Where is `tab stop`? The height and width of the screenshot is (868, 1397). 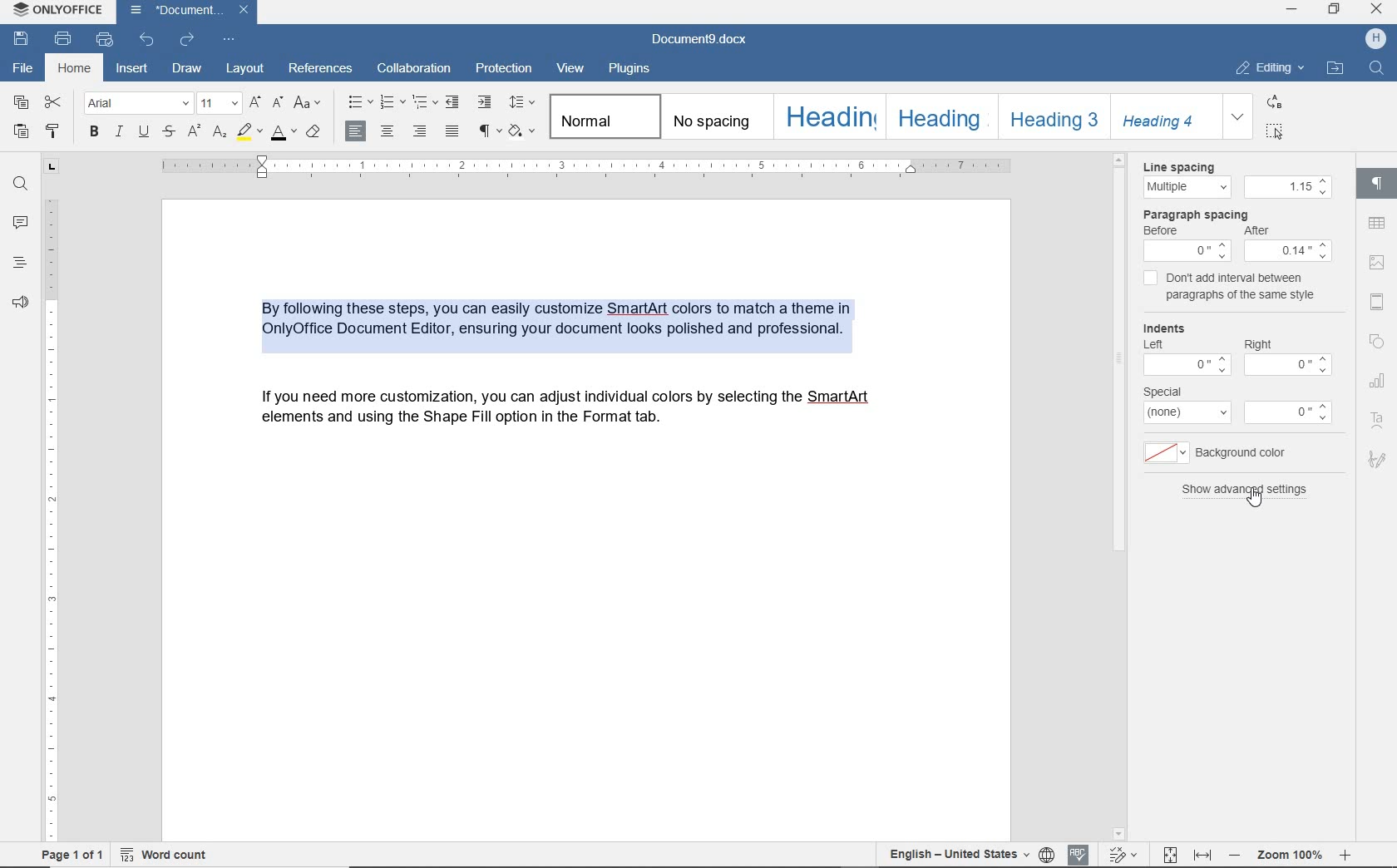
tab stop is located at coordinates (52, 165).